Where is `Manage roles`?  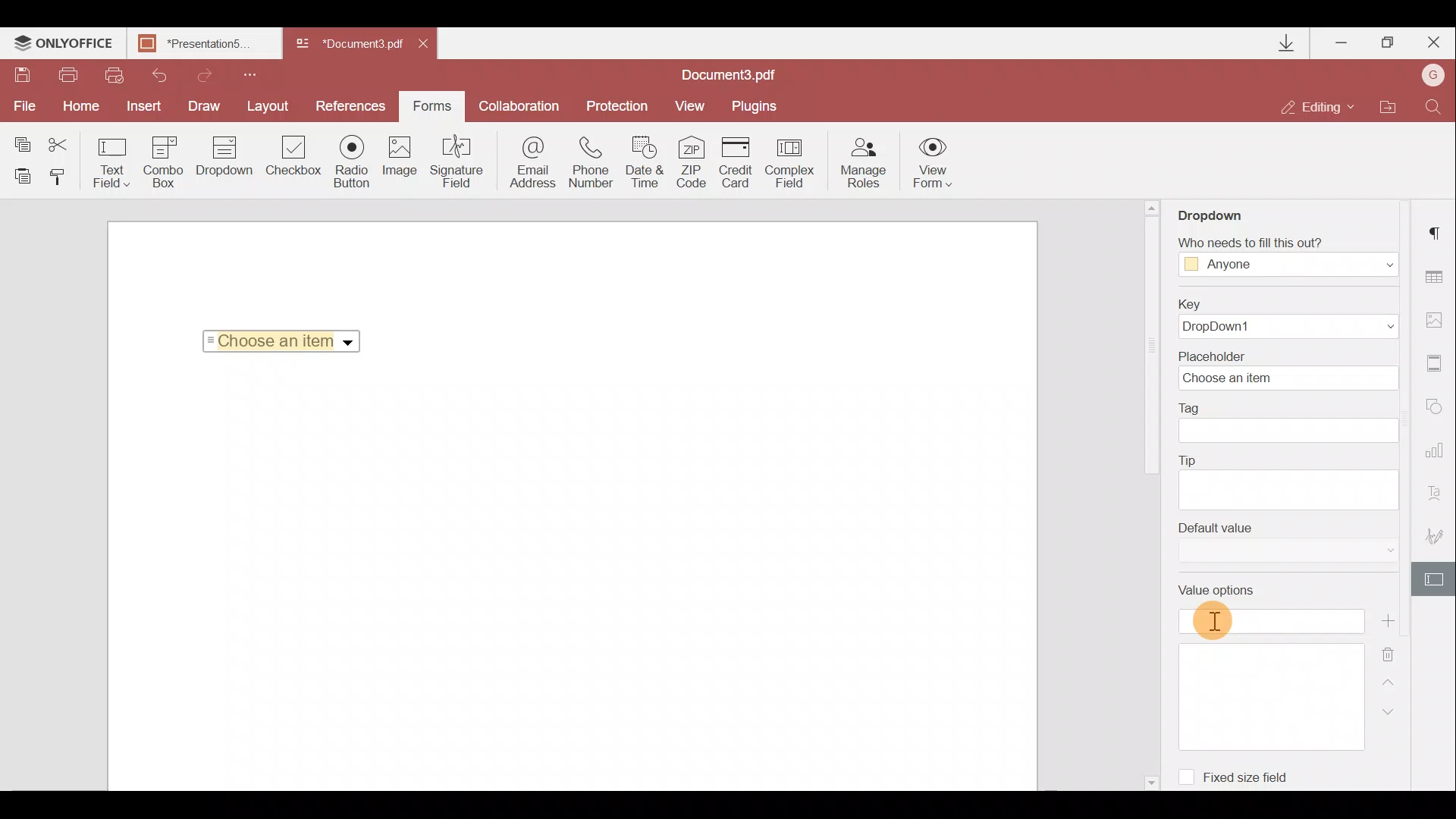 Manage roles is located at coordinates (863, 163).